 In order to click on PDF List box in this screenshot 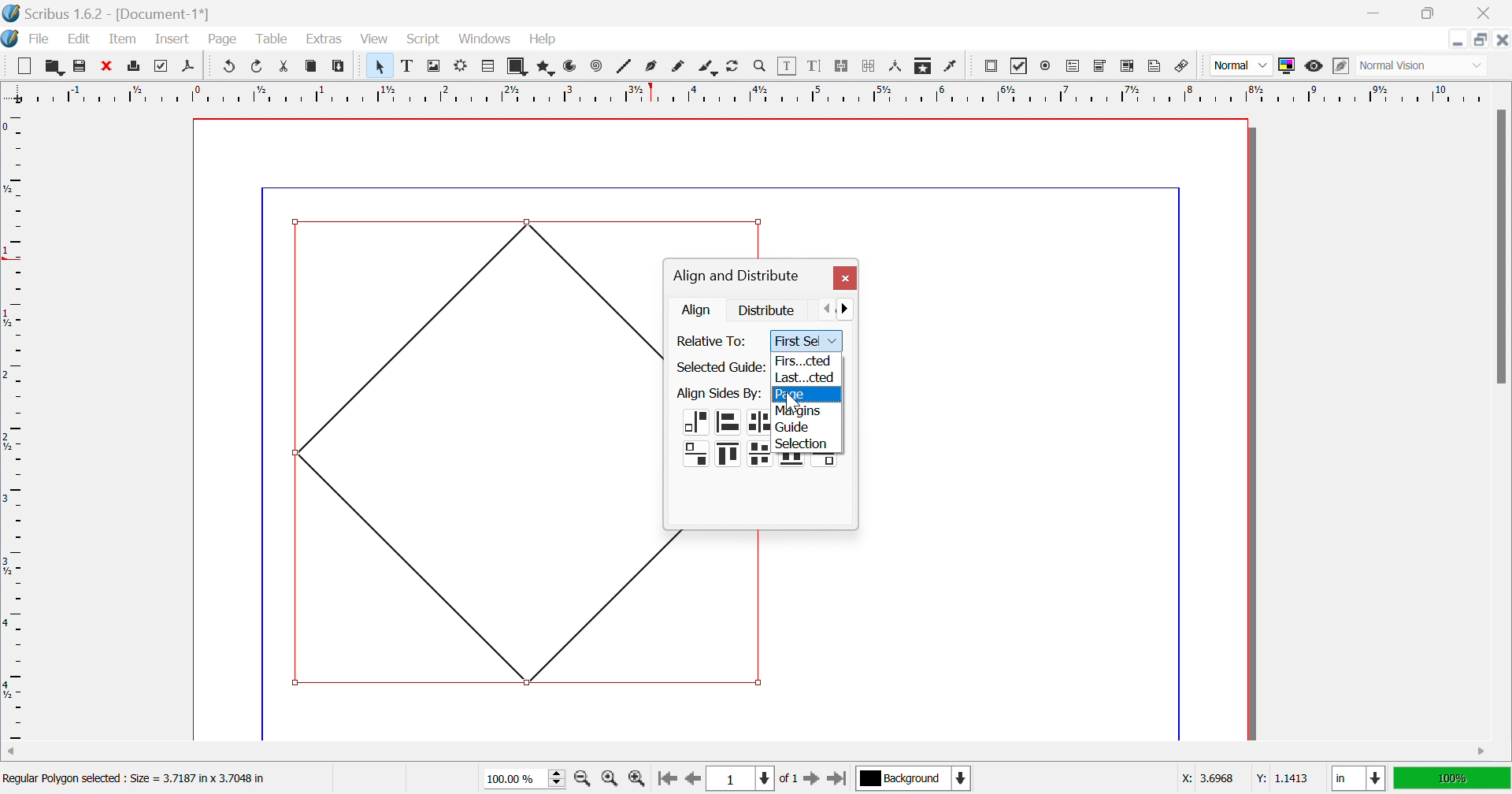, I will do `click(1128, 65)`.